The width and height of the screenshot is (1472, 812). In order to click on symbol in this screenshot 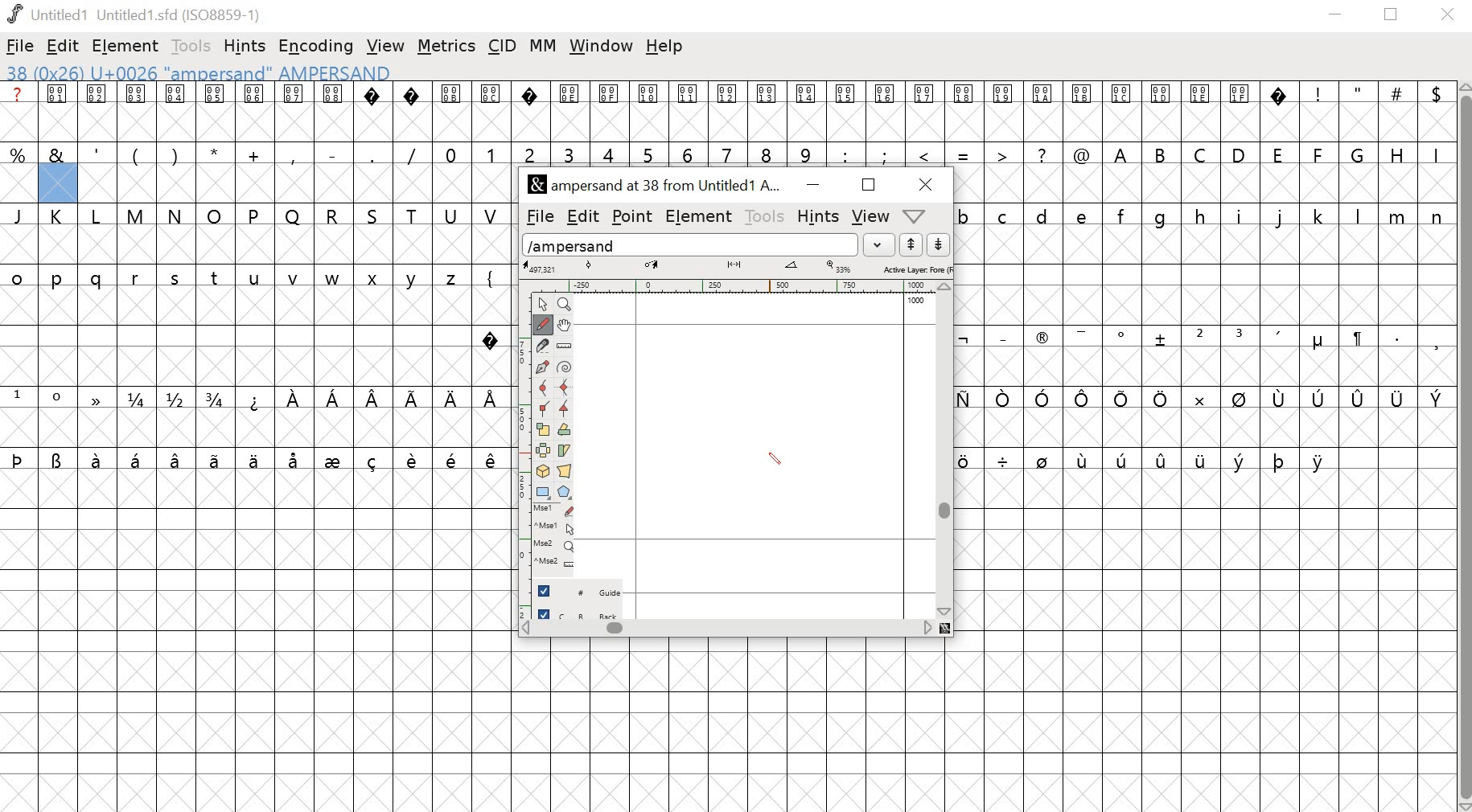, I will do `click(1281, 399)`.